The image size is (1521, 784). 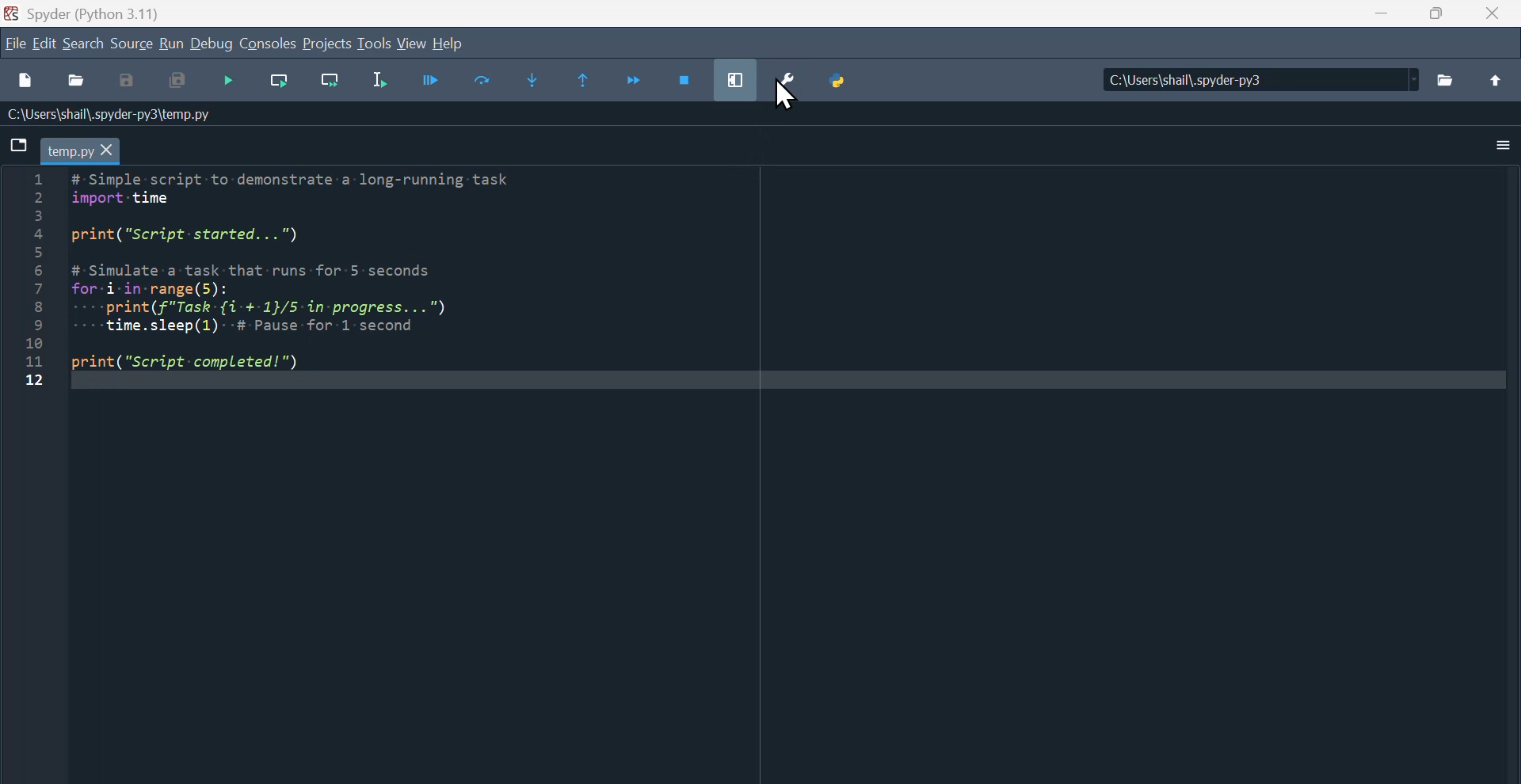 I want to click on View, so click(x=414, y=44).